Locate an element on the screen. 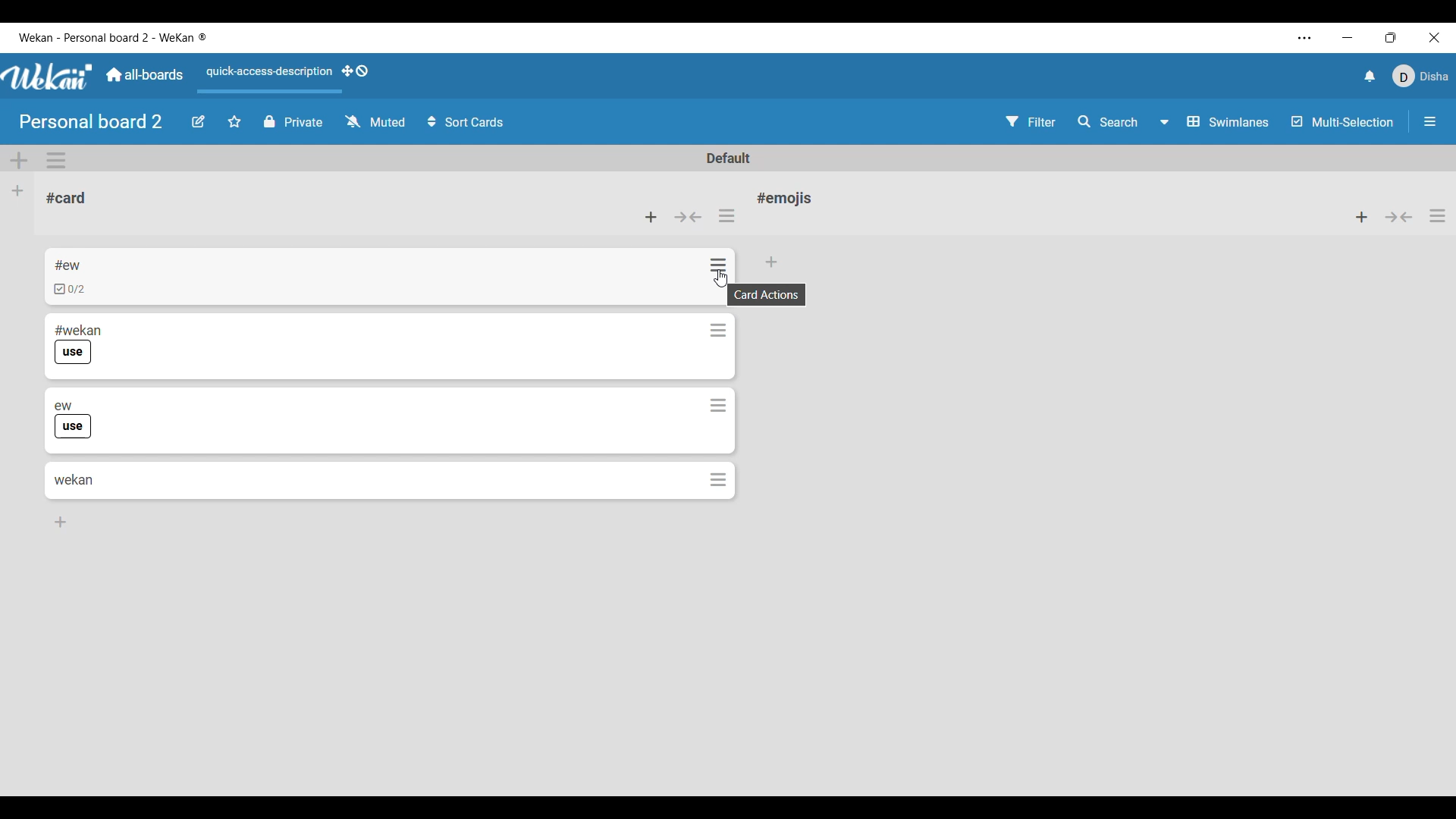 This screenshot has width=1456, height=819. Collapse is located at coordinates (1399, 217).